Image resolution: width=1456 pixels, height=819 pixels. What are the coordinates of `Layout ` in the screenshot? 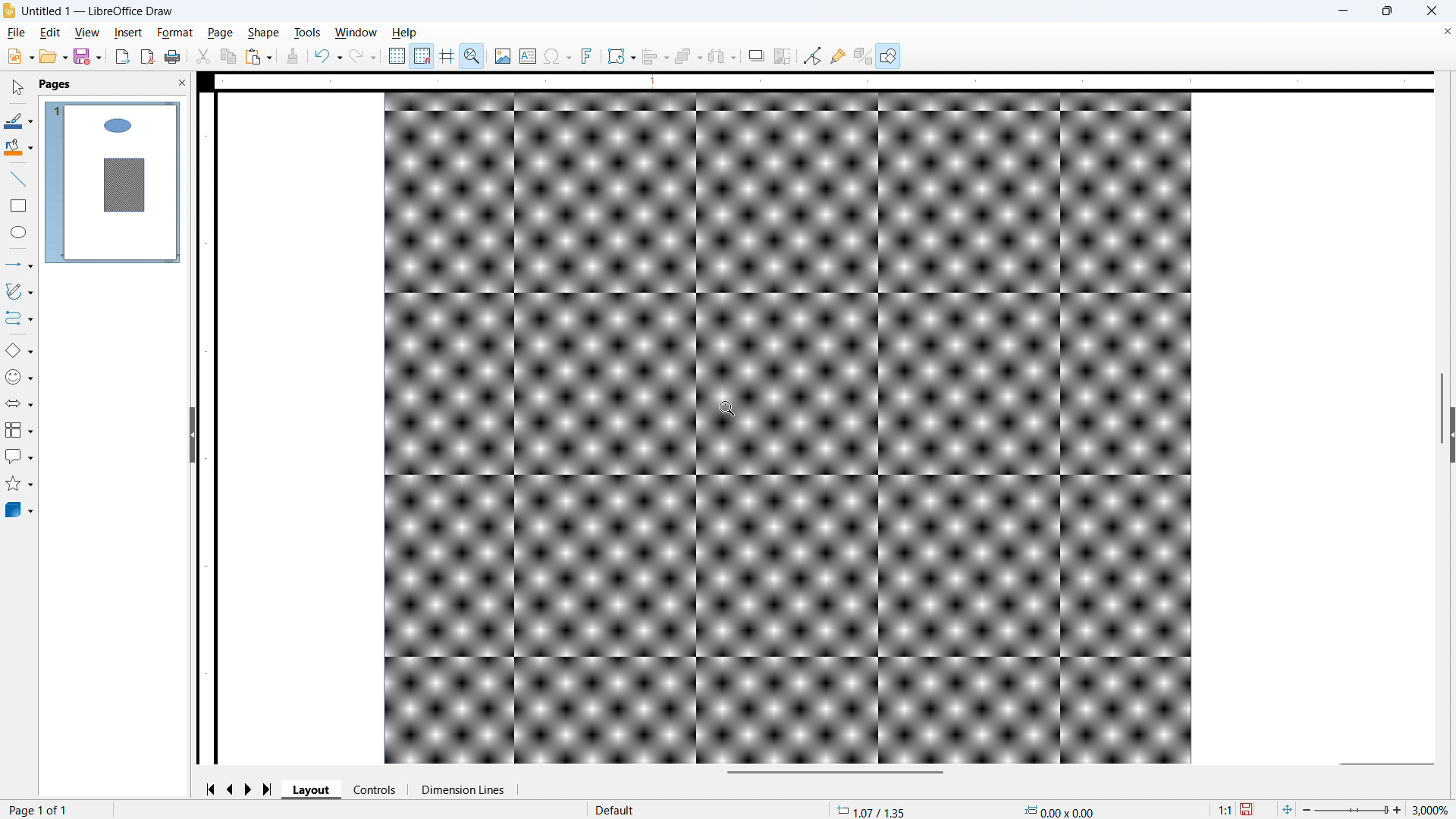 It's located at (312, 789).